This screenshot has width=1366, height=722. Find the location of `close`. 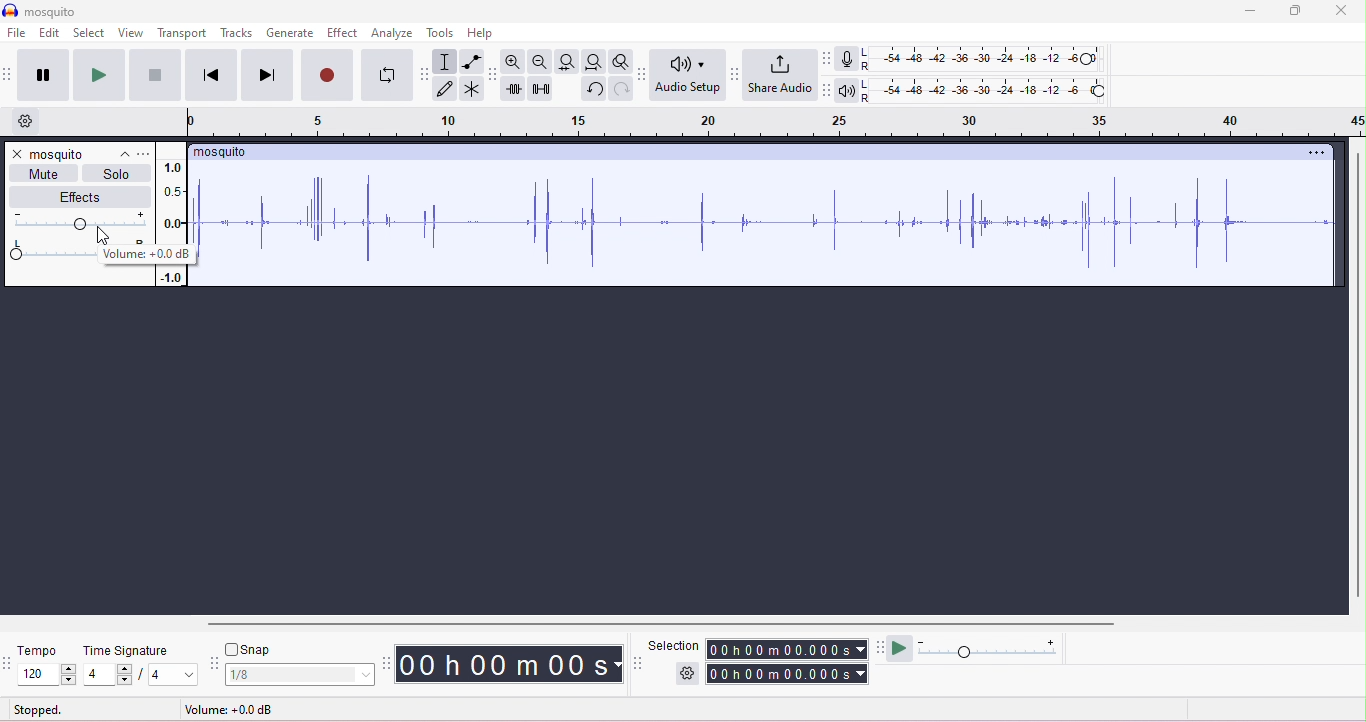

close is located at coordinates (17, 153).